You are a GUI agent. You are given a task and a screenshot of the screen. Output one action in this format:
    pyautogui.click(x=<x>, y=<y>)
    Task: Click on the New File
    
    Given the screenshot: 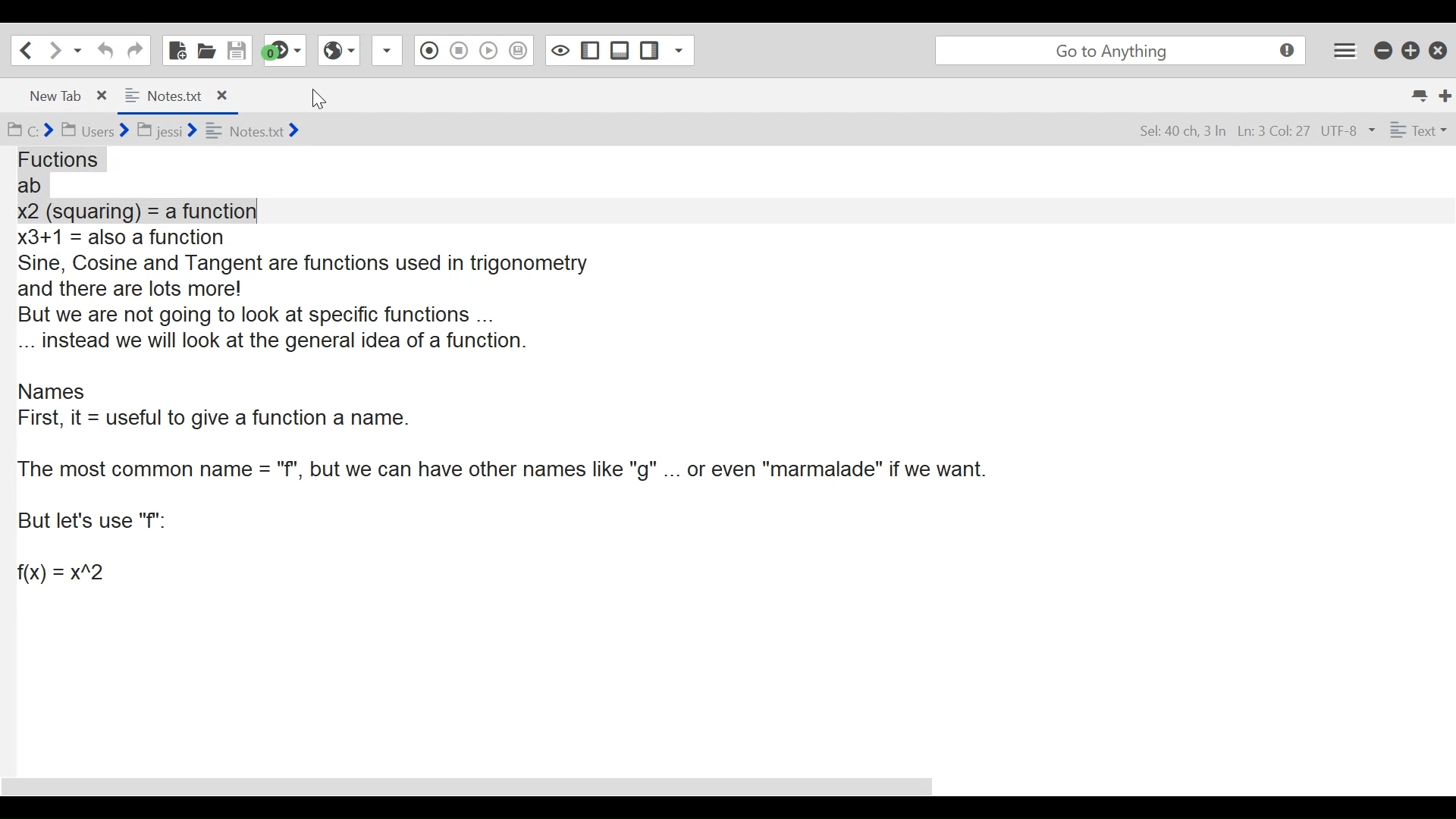 What is the action you would take?
    pyautogui.click(x=178, y=50)
    